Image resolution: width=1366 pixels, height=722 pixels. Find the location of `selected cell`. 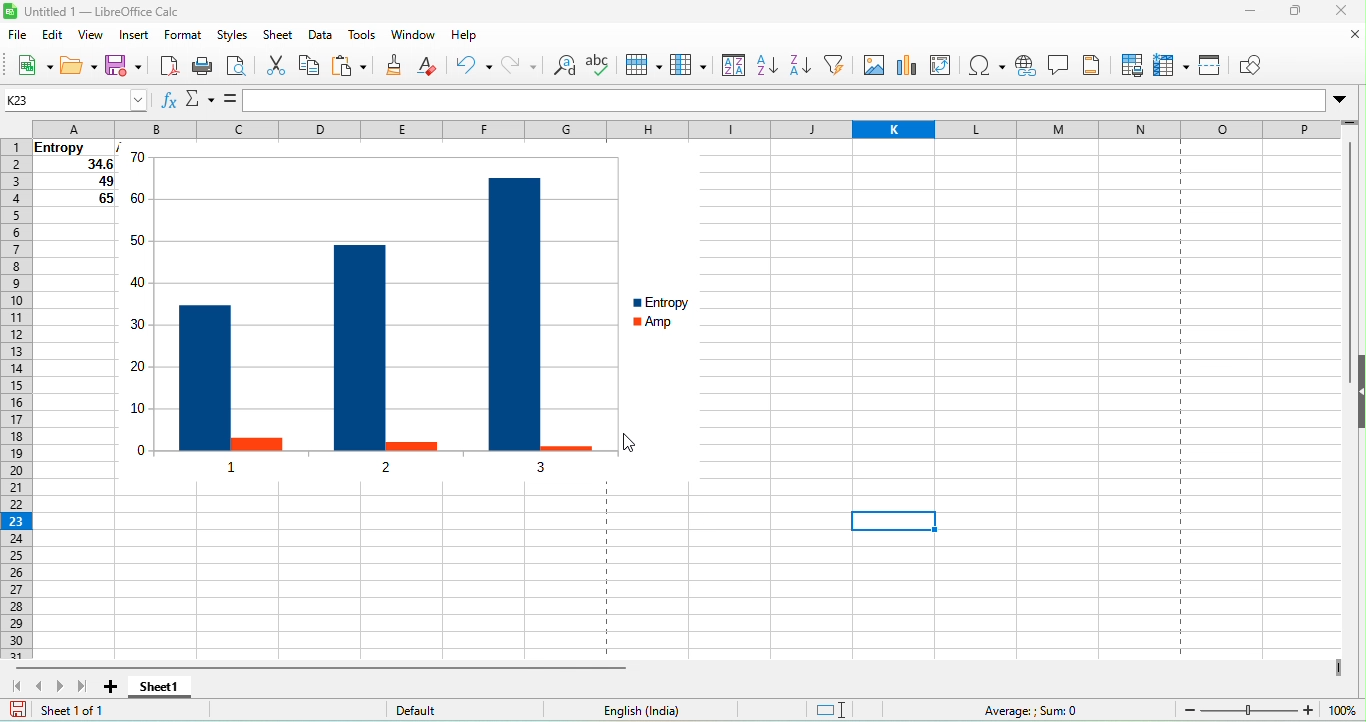

selected cell is located at coordinates (893, 521).